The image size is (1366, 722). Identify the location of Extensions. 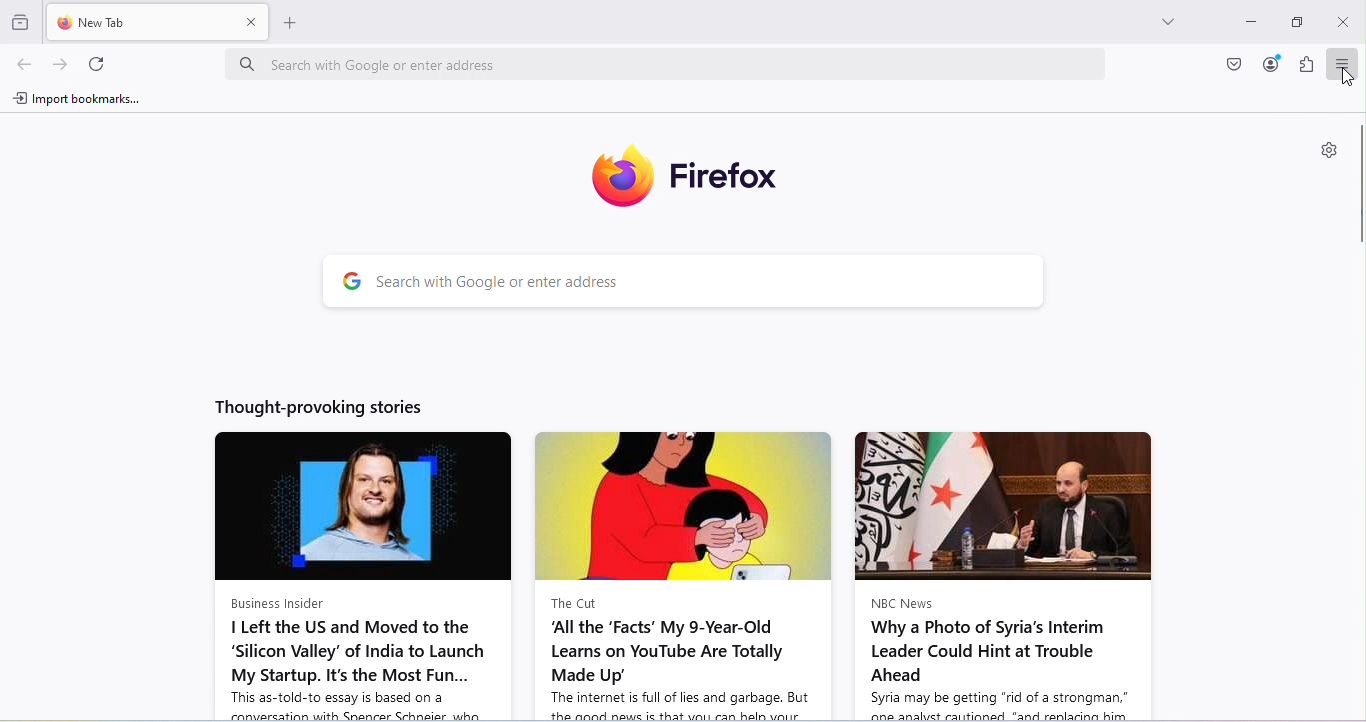
(1303, 66).